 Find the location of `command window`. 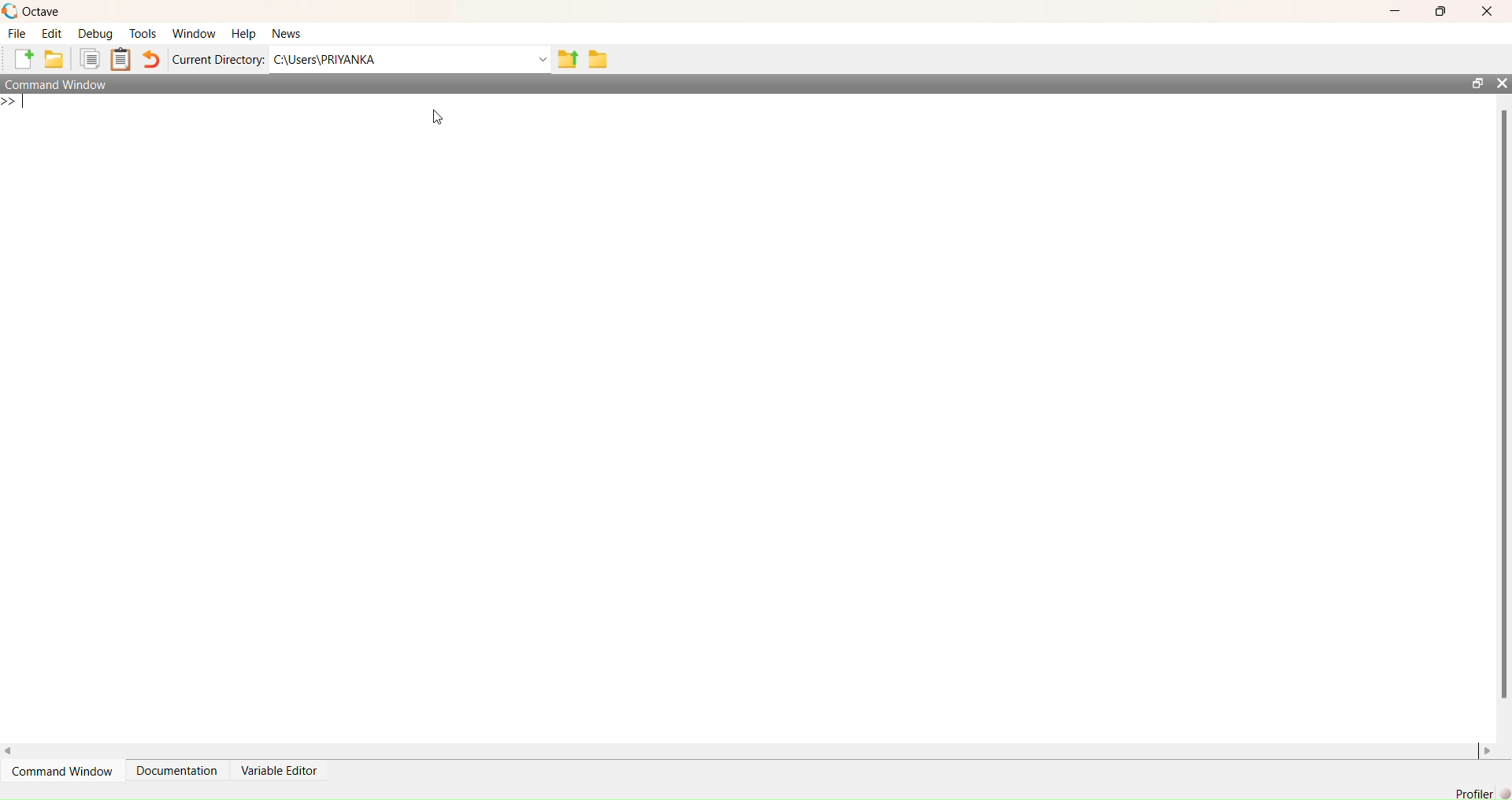

command window is located at coordinates (57, 84).